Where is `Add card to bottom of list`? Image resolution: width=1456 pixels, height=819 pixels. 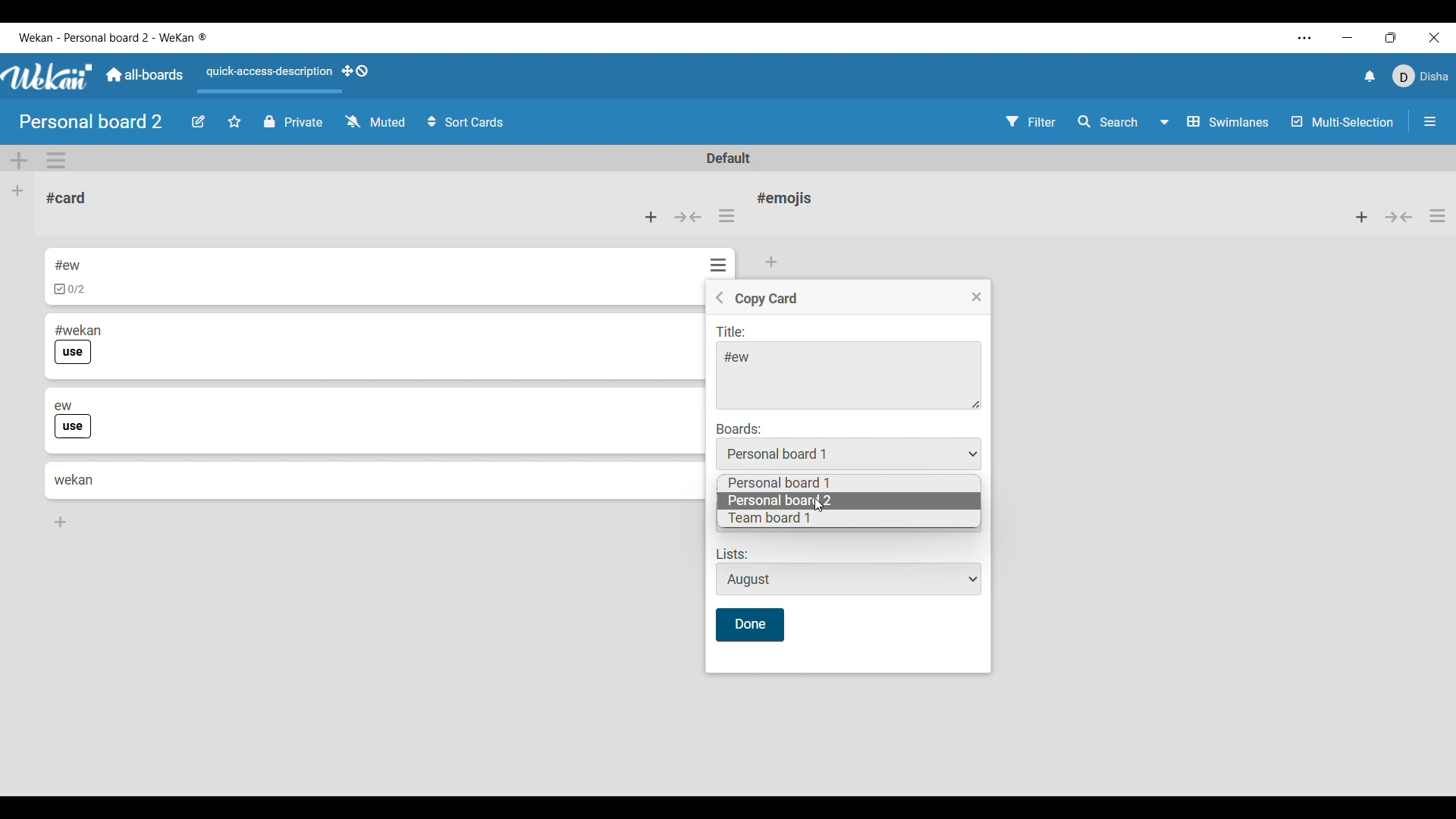
Add card to bottom of list is located at coordinates (61, 522).